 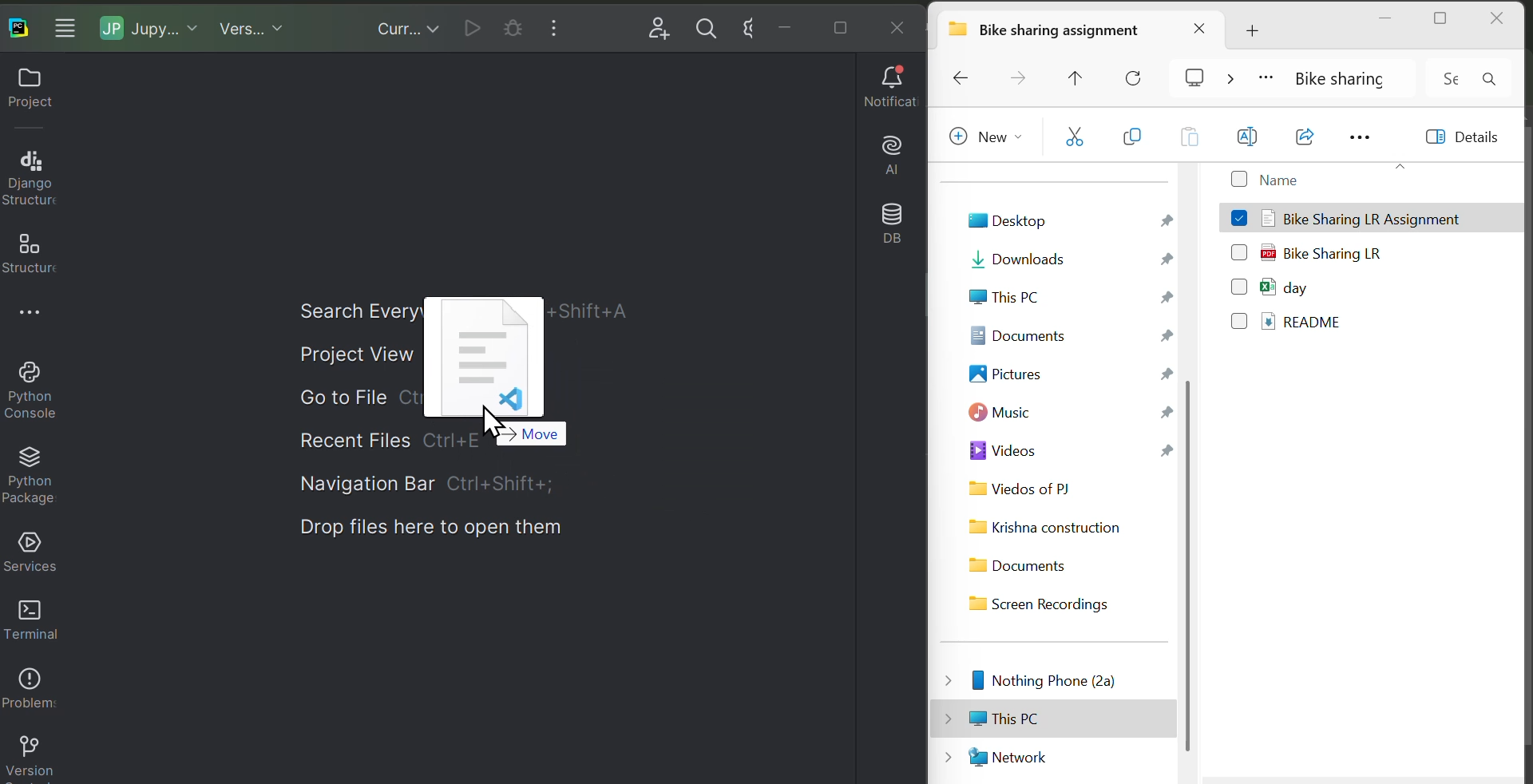 I want to click on Bike sharing assignment, so click(x=1075, y=30).